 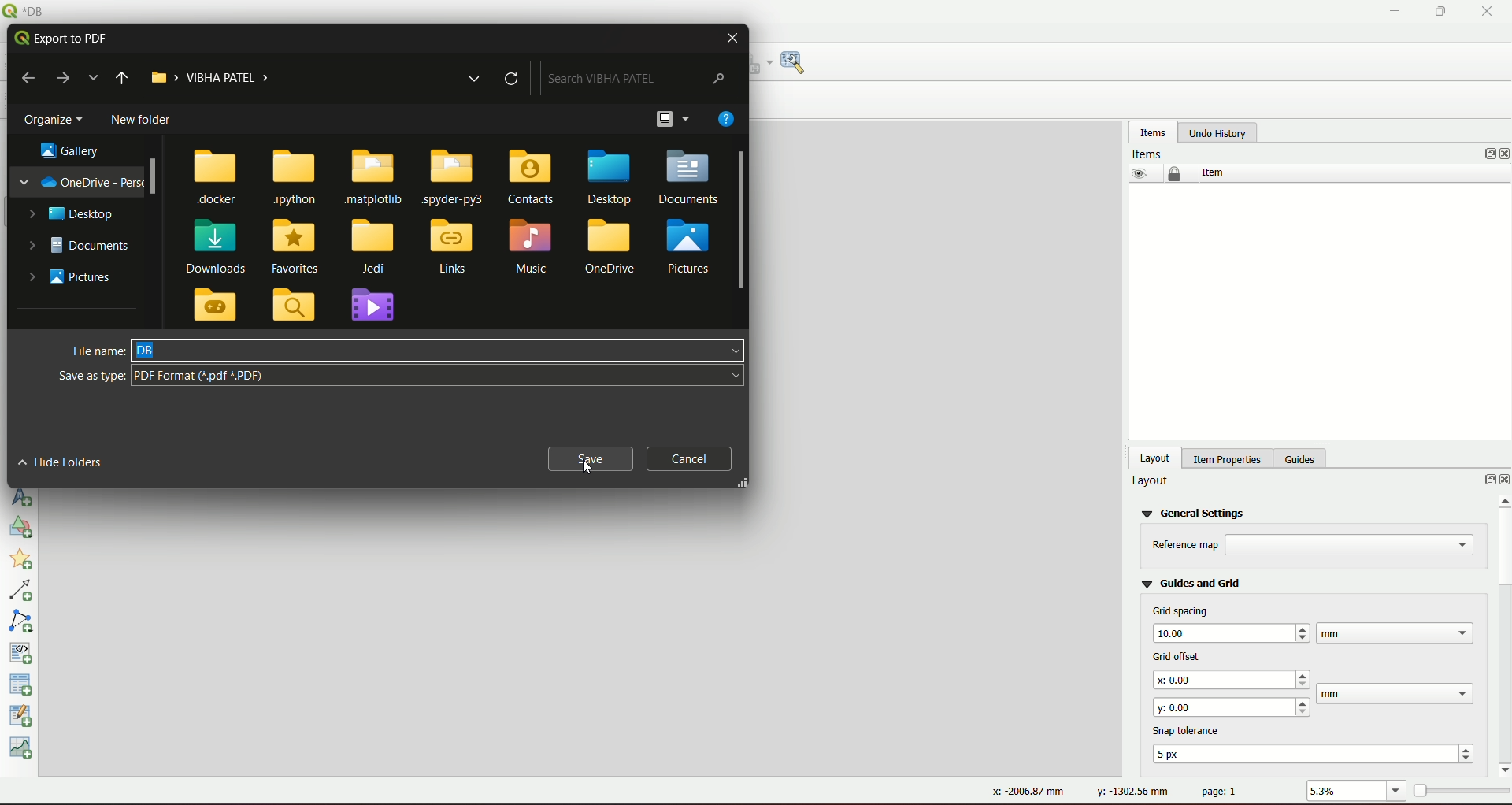 I want to click on One drive, so click(x=610, y=250).